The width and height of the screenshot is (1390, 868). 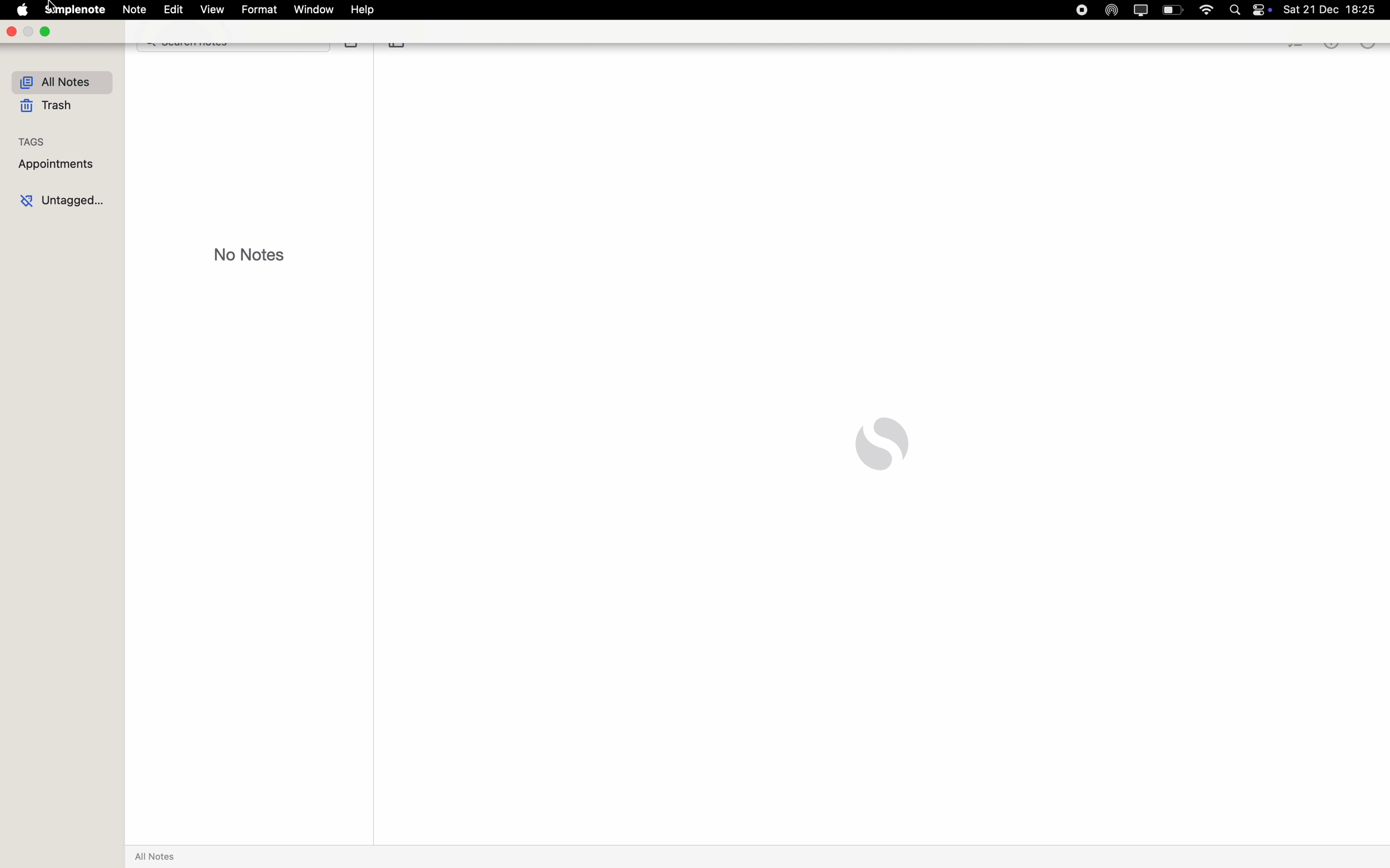 What do you see at coordinates (17, 9) in the screenshot?
I see `Apple icon` at bounding box center [17, 9].